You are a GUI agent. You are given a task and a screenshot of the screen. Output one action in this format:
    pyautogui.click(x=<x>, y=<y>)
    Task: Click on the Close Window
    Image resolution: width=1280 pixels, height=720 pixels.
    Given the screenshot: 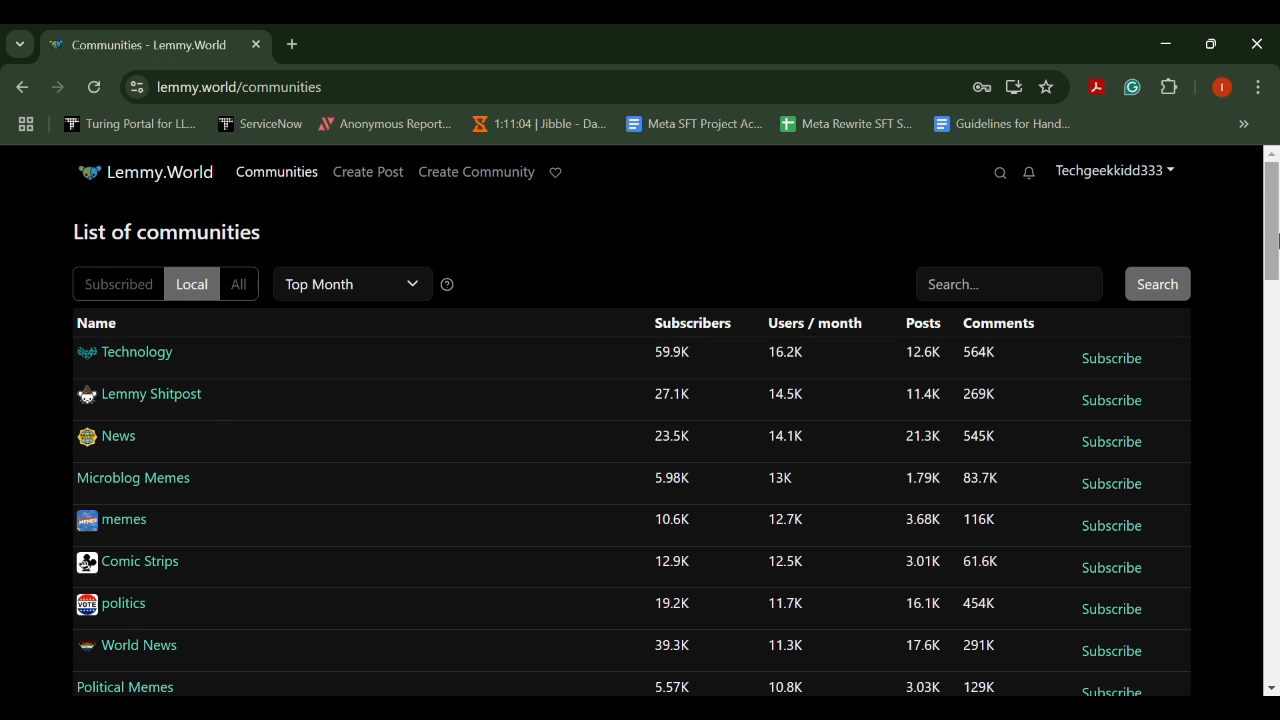 What is the action you would take?
    pyautogui.click(x=1258, y=44)
    